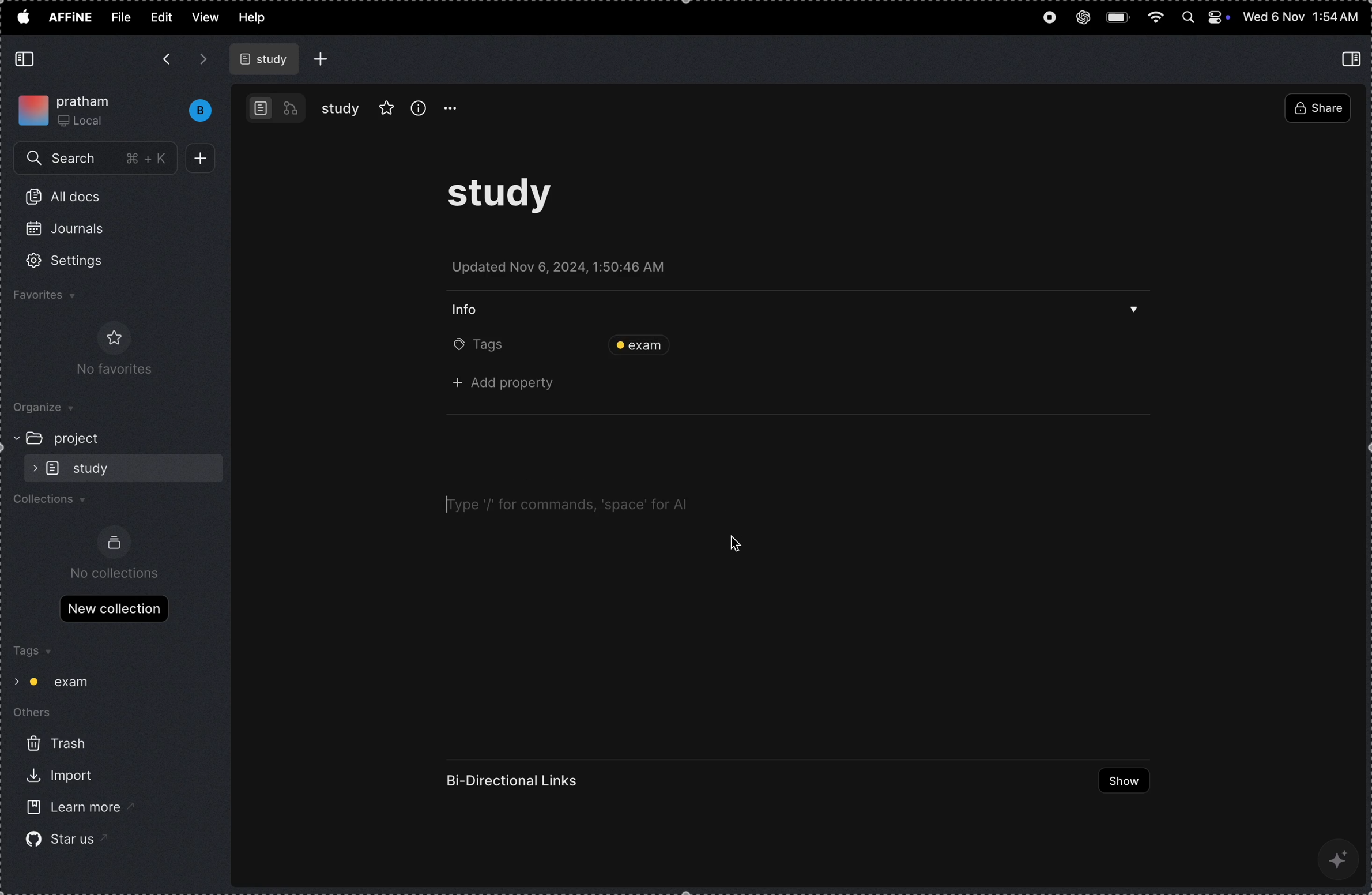 The image size is (1372, 895). Describe the element at coordinates (1354, 58) in the screenshot. I see `collapse side bar` at that location.